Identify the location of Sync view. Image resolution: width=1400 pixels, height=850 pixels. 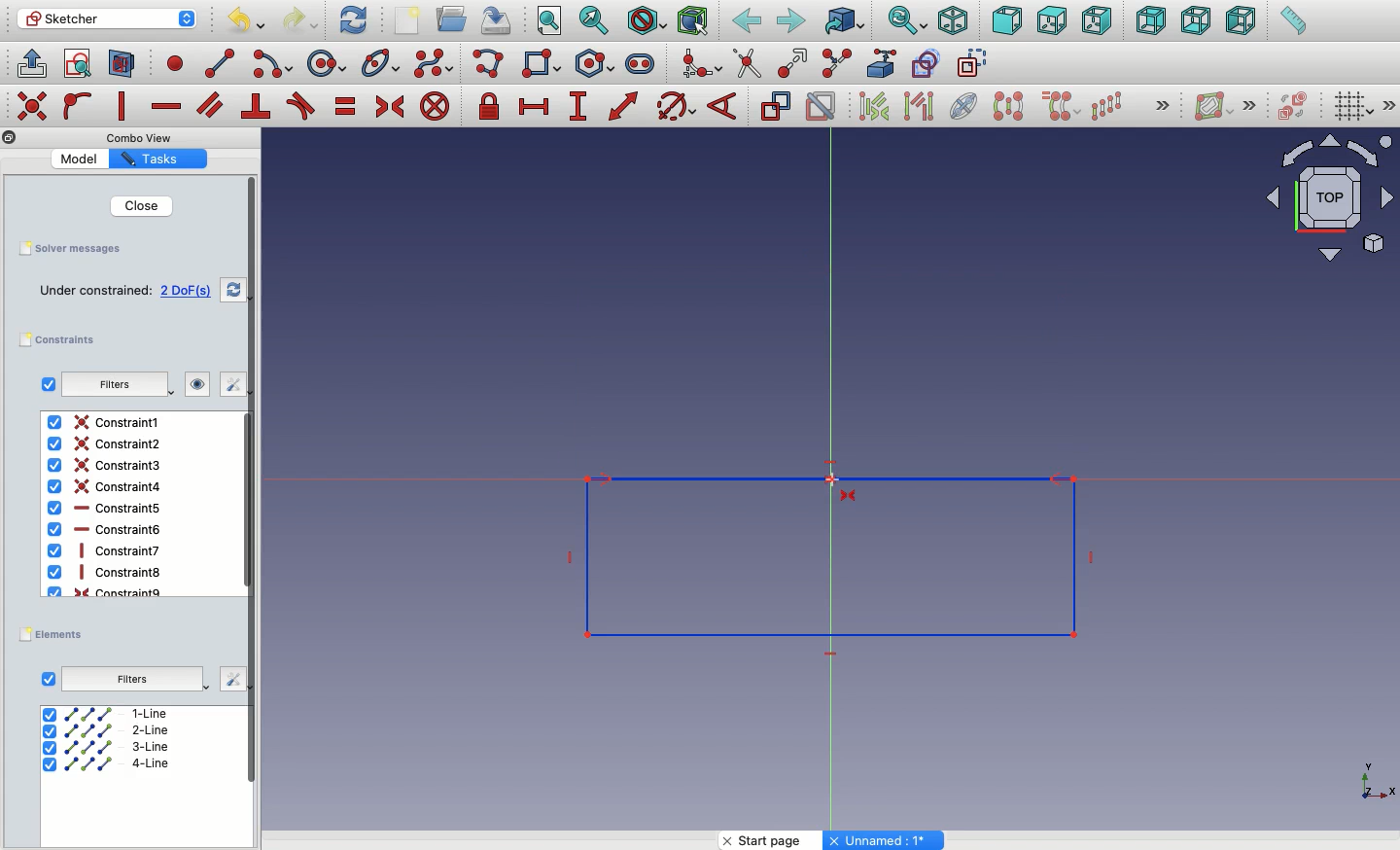
(906, 21).